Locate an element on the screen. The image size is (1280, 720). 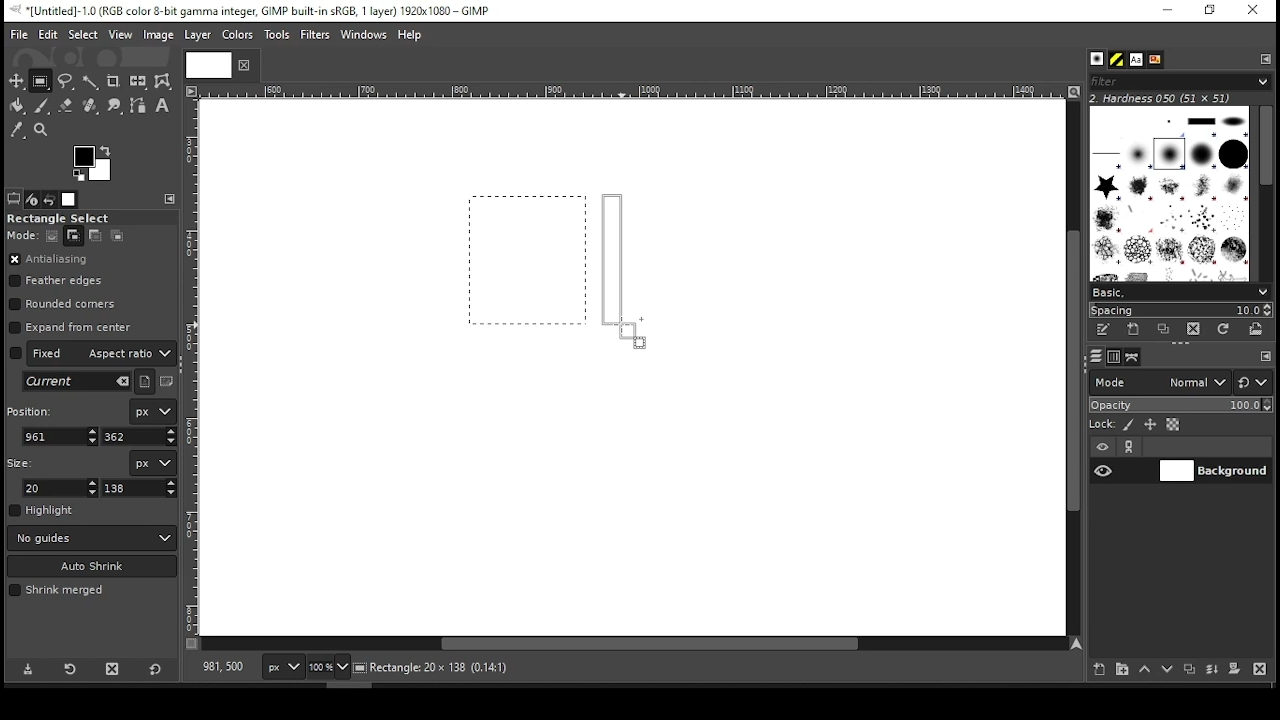
px is located at coordinates (282, 669).